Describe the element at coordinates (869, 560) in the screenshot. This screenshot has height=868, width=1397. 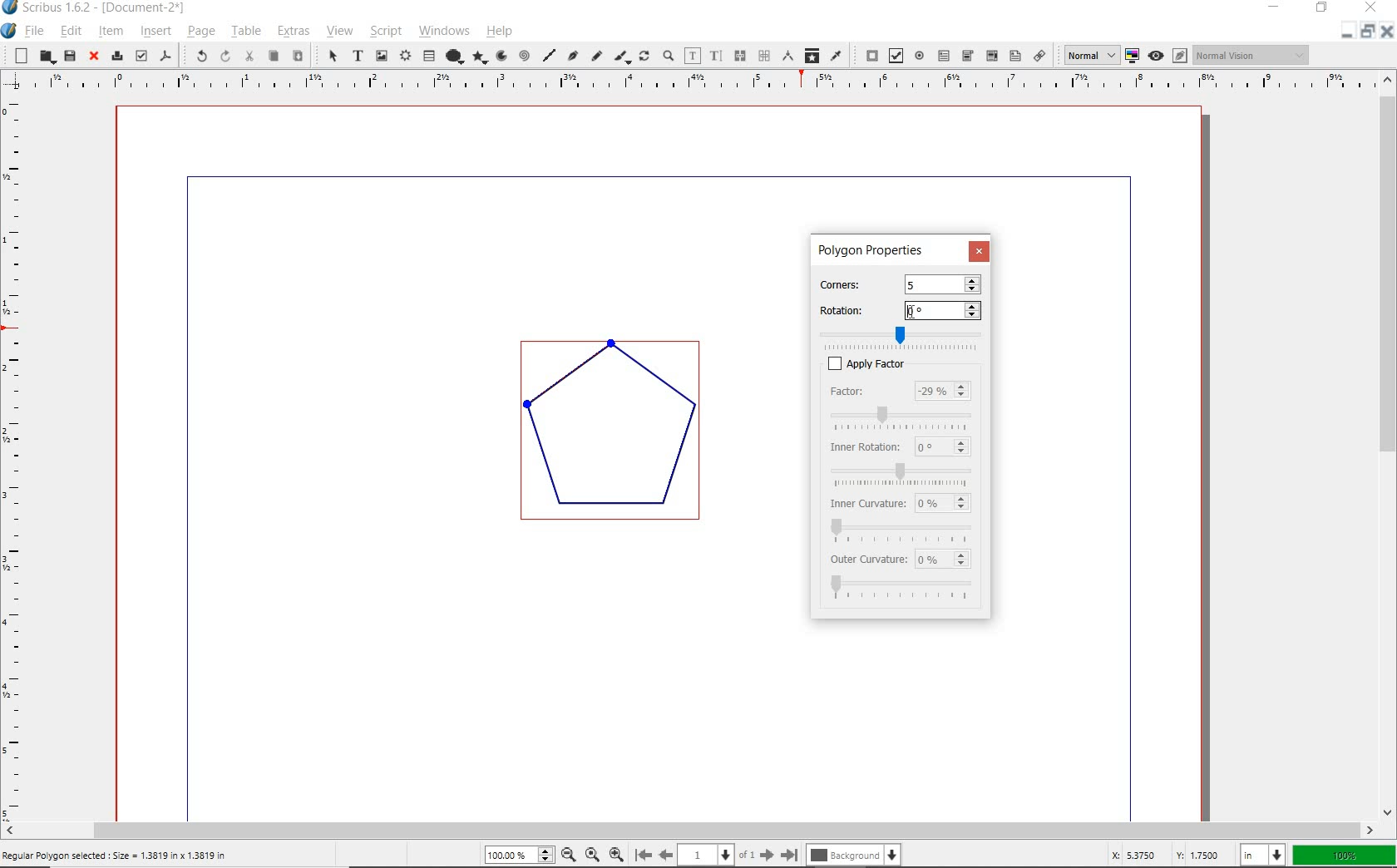
I see `OUTER CURVATURE` at that location.